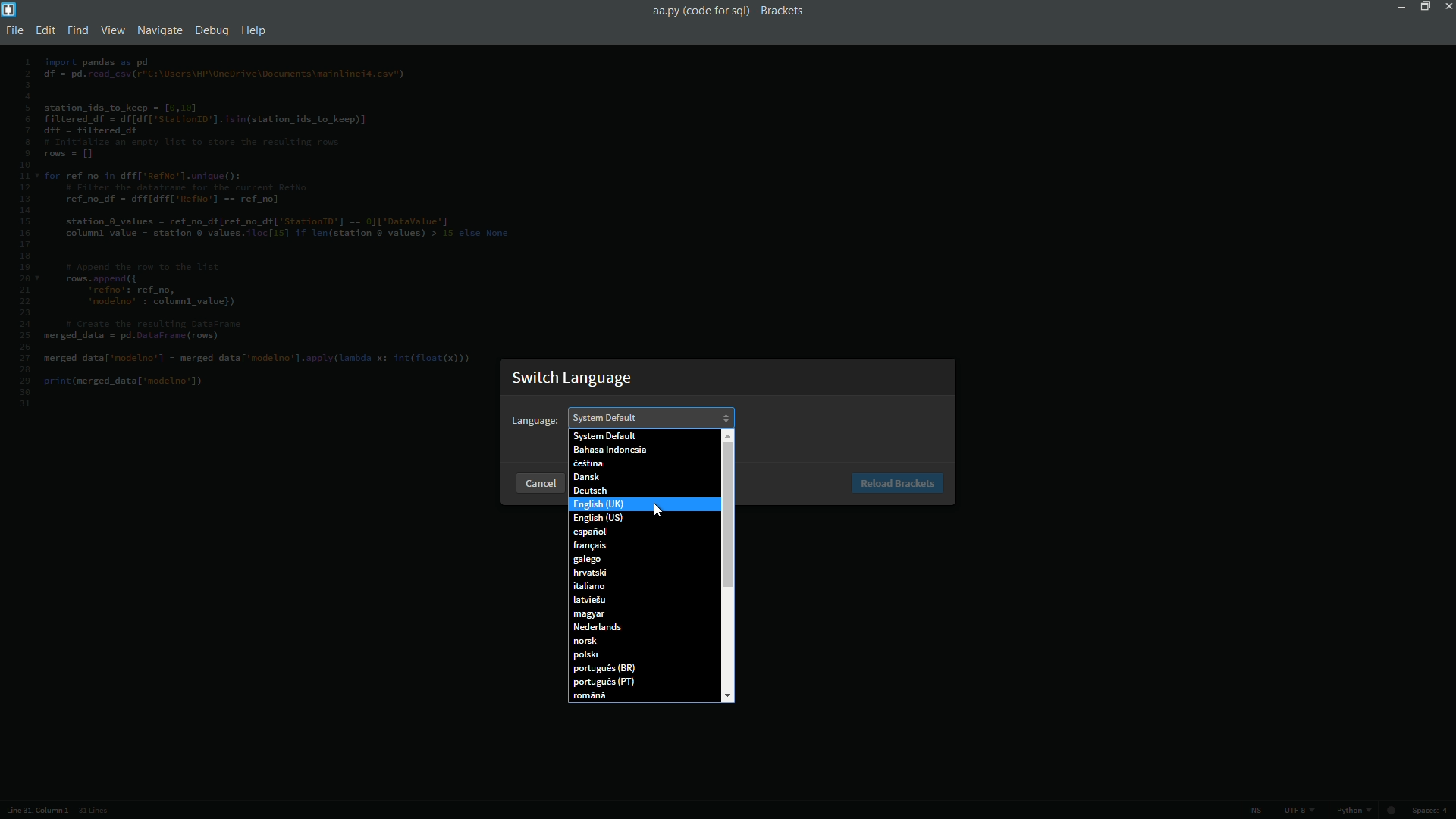  I want to click on language-10, so click(588, 573).